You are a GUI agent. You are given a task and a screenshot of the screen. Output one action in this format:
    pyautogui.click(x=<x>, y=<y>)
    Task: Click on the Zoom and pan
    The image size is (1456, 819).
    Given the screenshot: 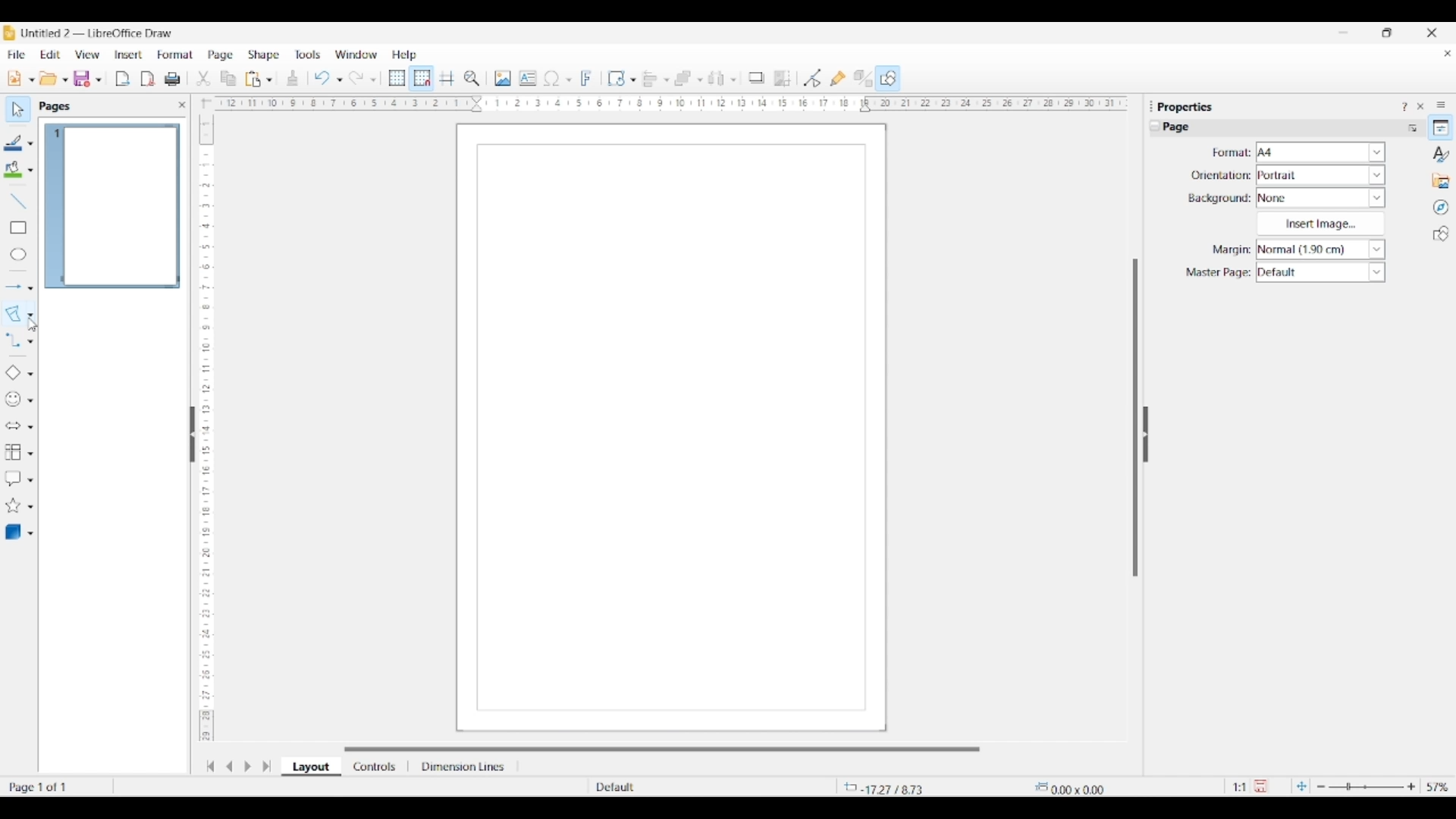 What is the action you would take?
    pyautogui.click(x=472, y=79)
    